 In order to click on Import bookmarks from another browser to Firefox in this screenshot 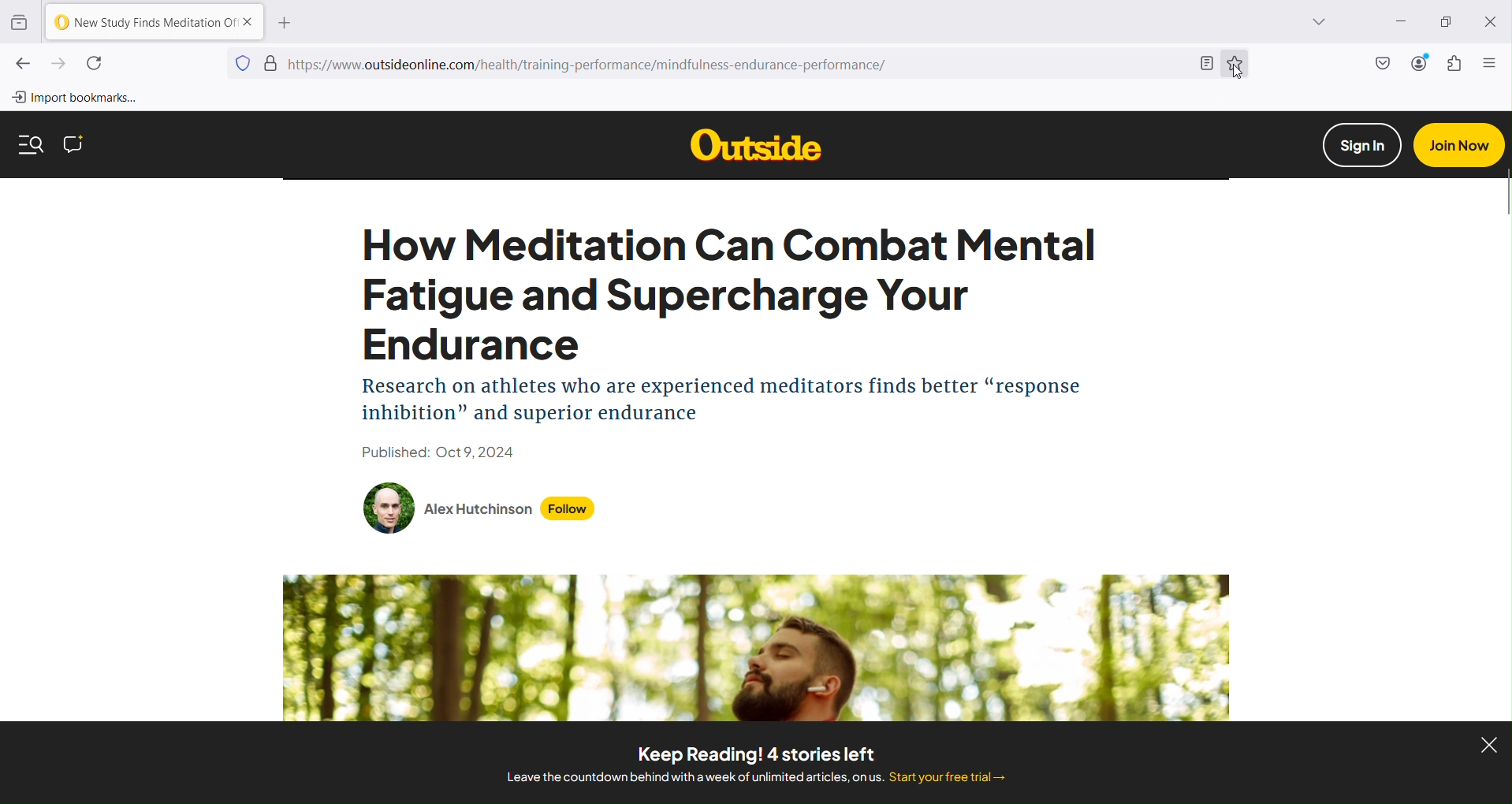, I will do `click(81, 98)`.